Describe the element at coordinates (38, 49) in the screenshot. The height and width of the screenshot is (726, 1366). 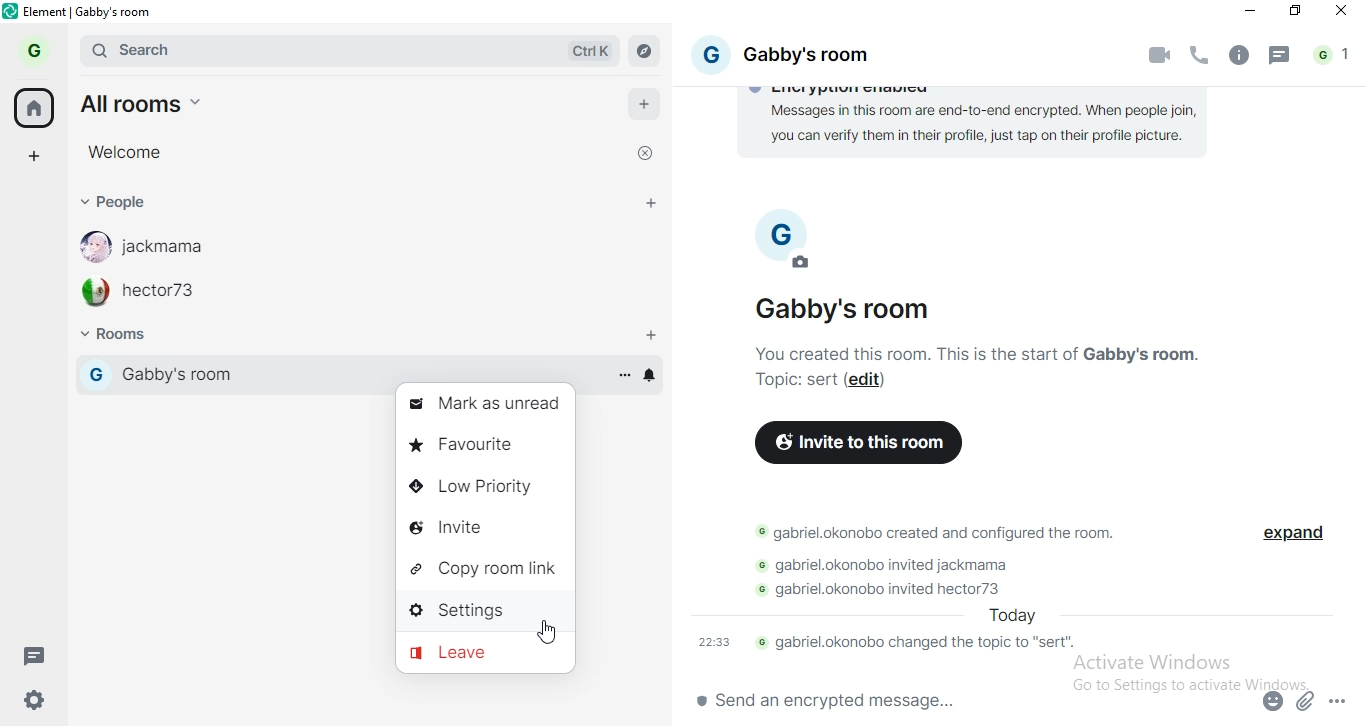
I see `profile` at that location.